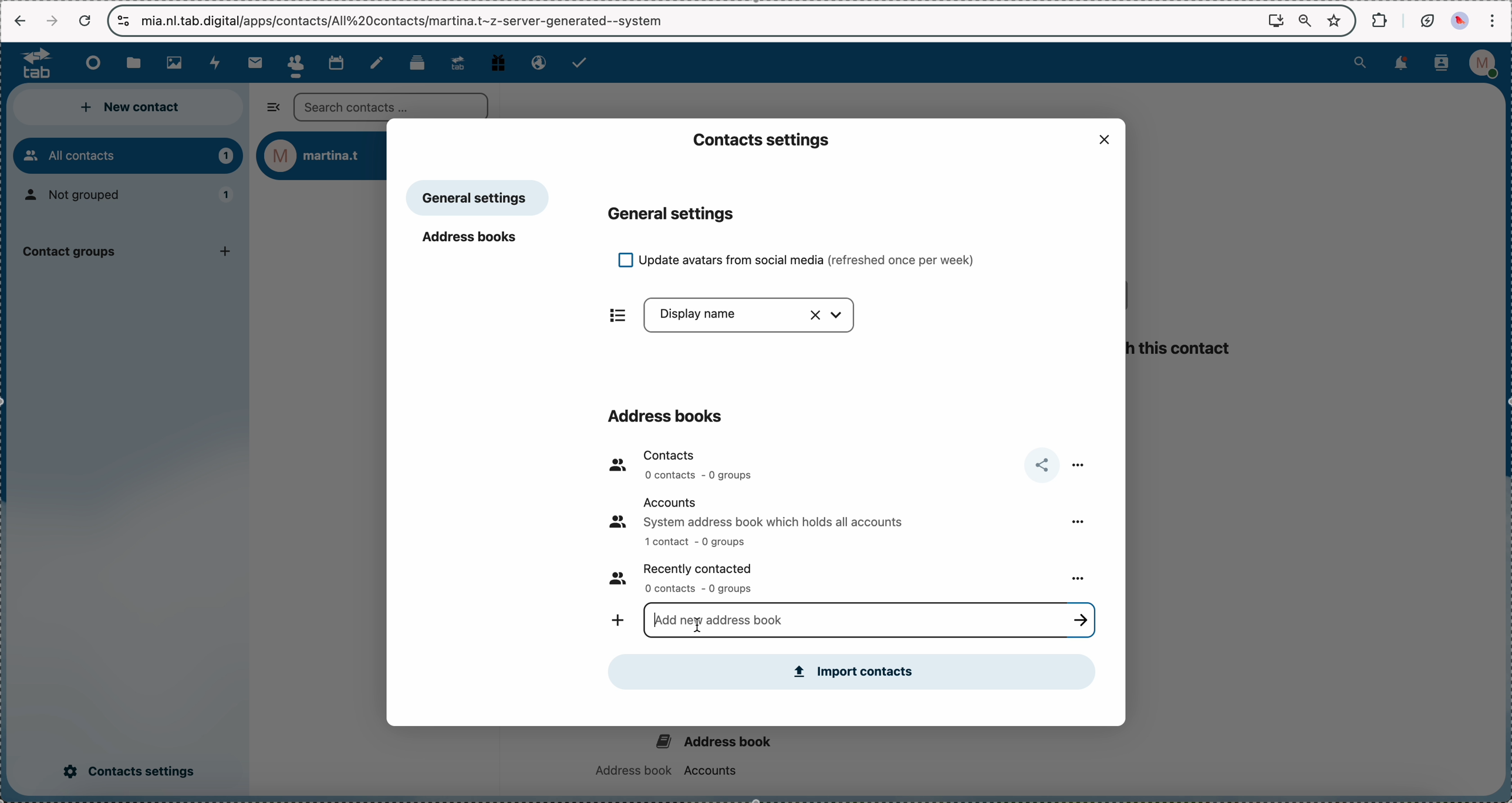 Image resolution: width=1512 pixels, height=803 pixels. I want to click on notifications, so click(1404, 63).